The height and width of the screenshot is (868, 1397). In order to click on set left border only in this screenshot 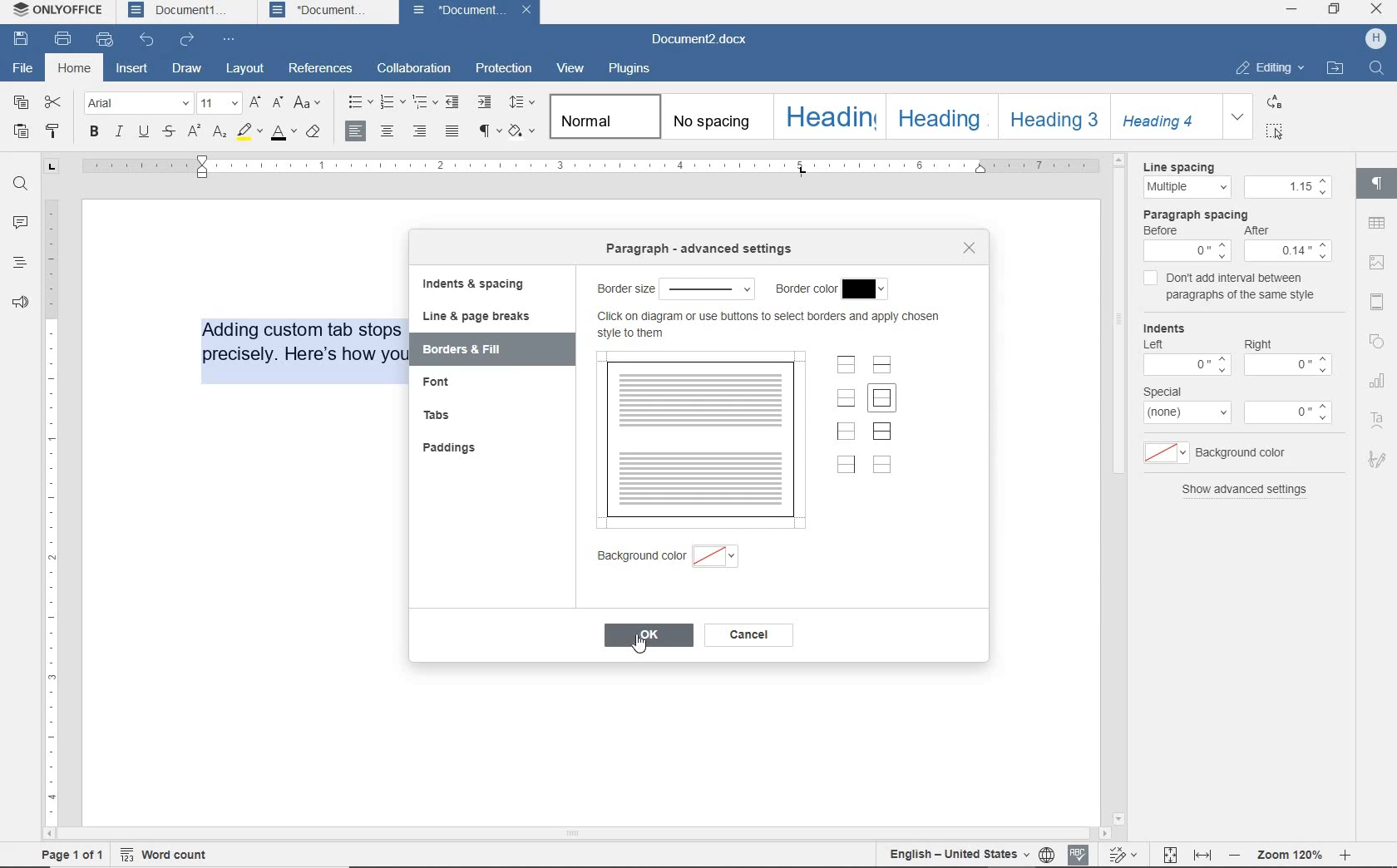, I will do `click(847, 431)`.